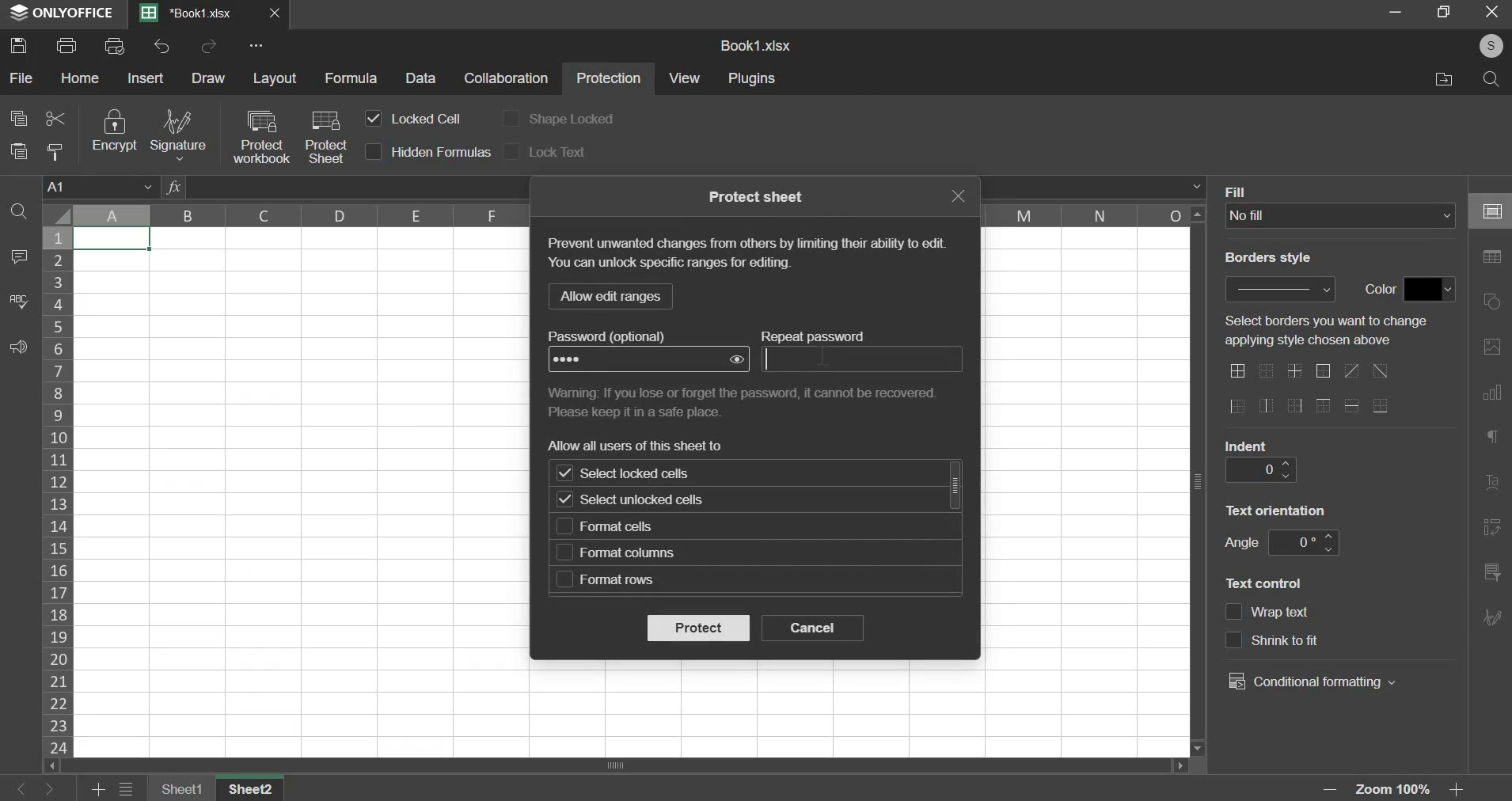 This screenshot has height=801, width=1512. What do you see at coordinates (746, 256) in the screenshot?
I see `text` at bounding box center [746, 256].